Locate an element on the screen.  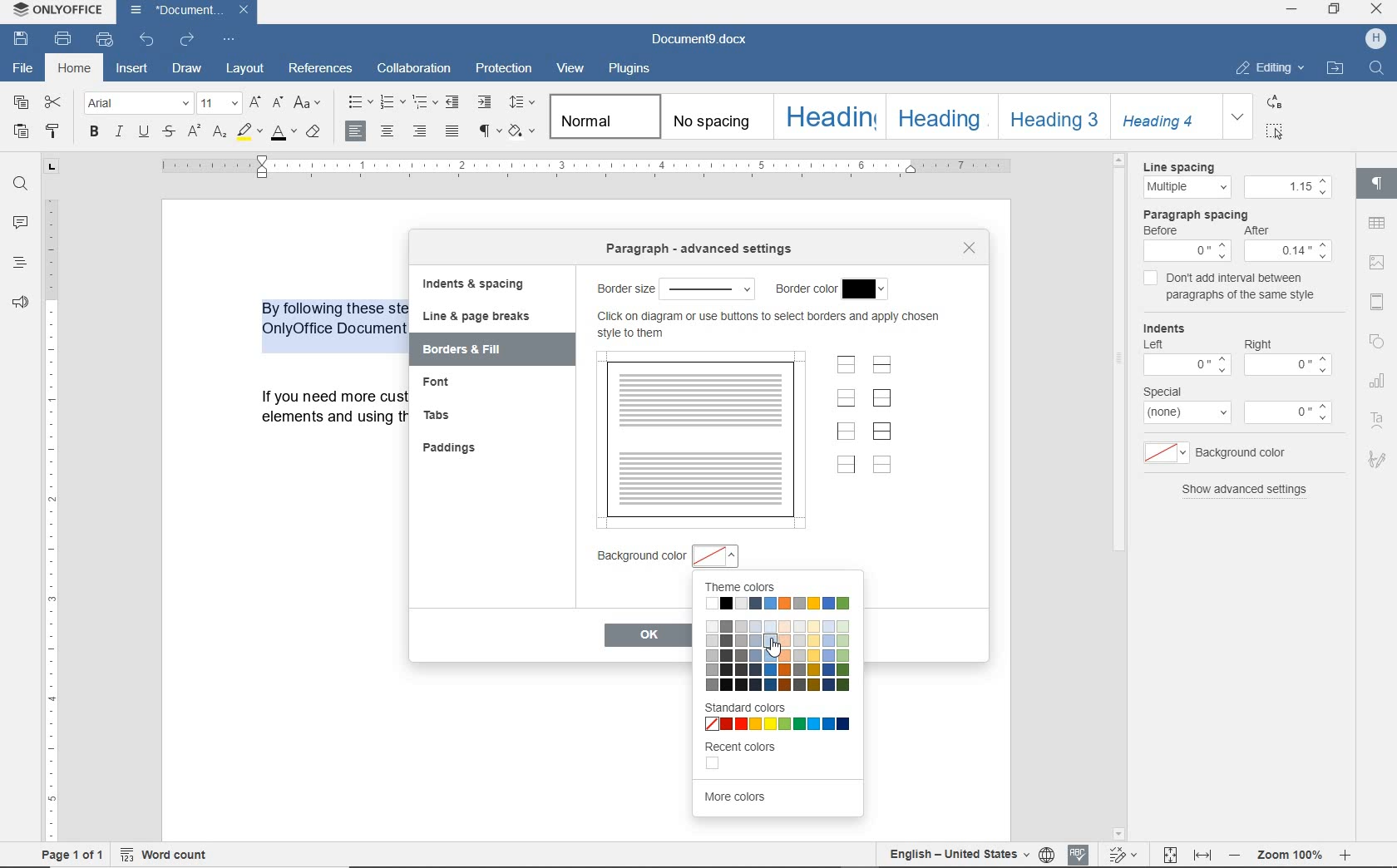
set no borders is located at coordinates (883, 466).